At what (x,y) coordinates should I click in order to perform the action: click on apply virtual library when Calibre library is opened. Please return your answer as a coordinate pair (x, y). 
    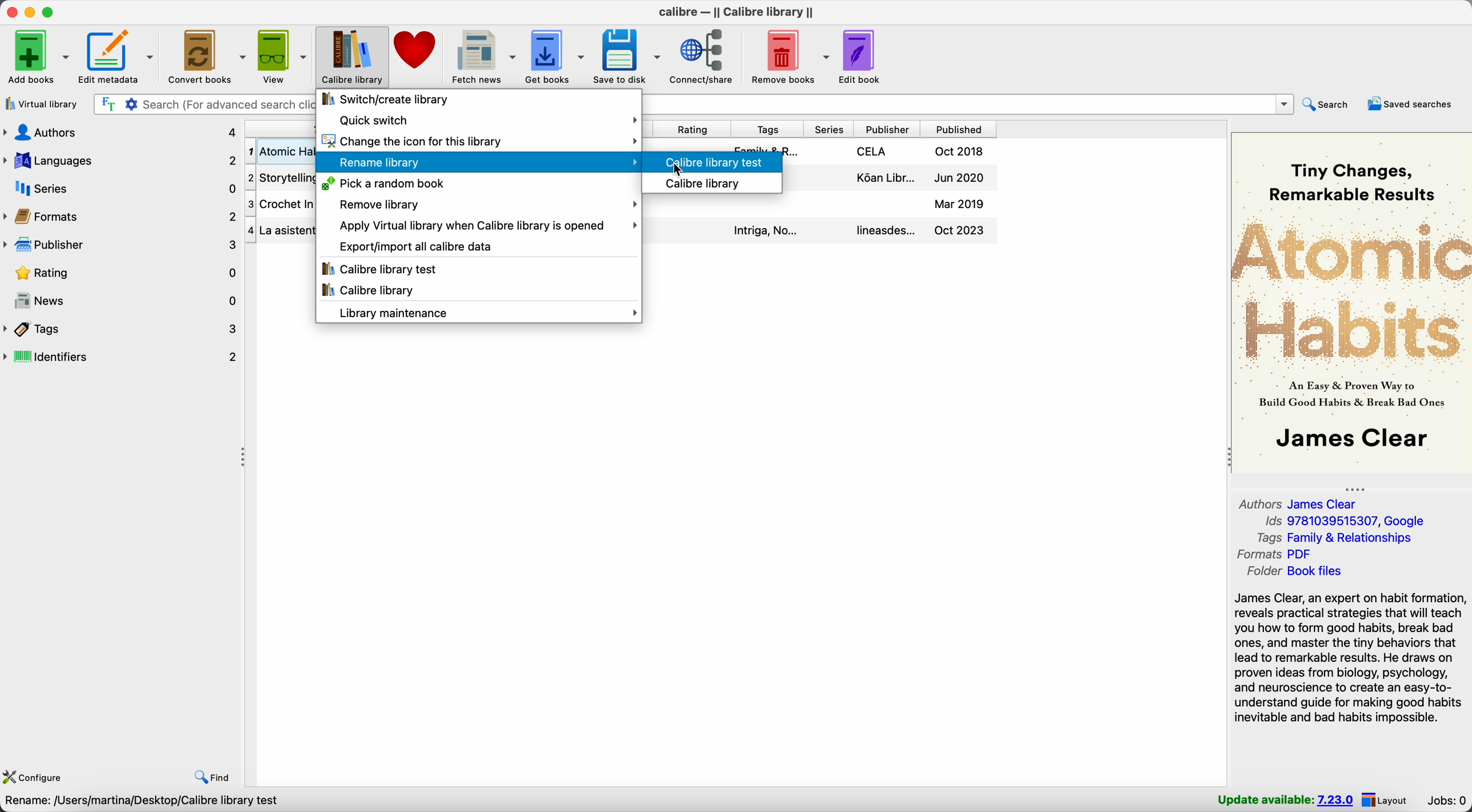
    Looking at the image, I should click on (486, 226).